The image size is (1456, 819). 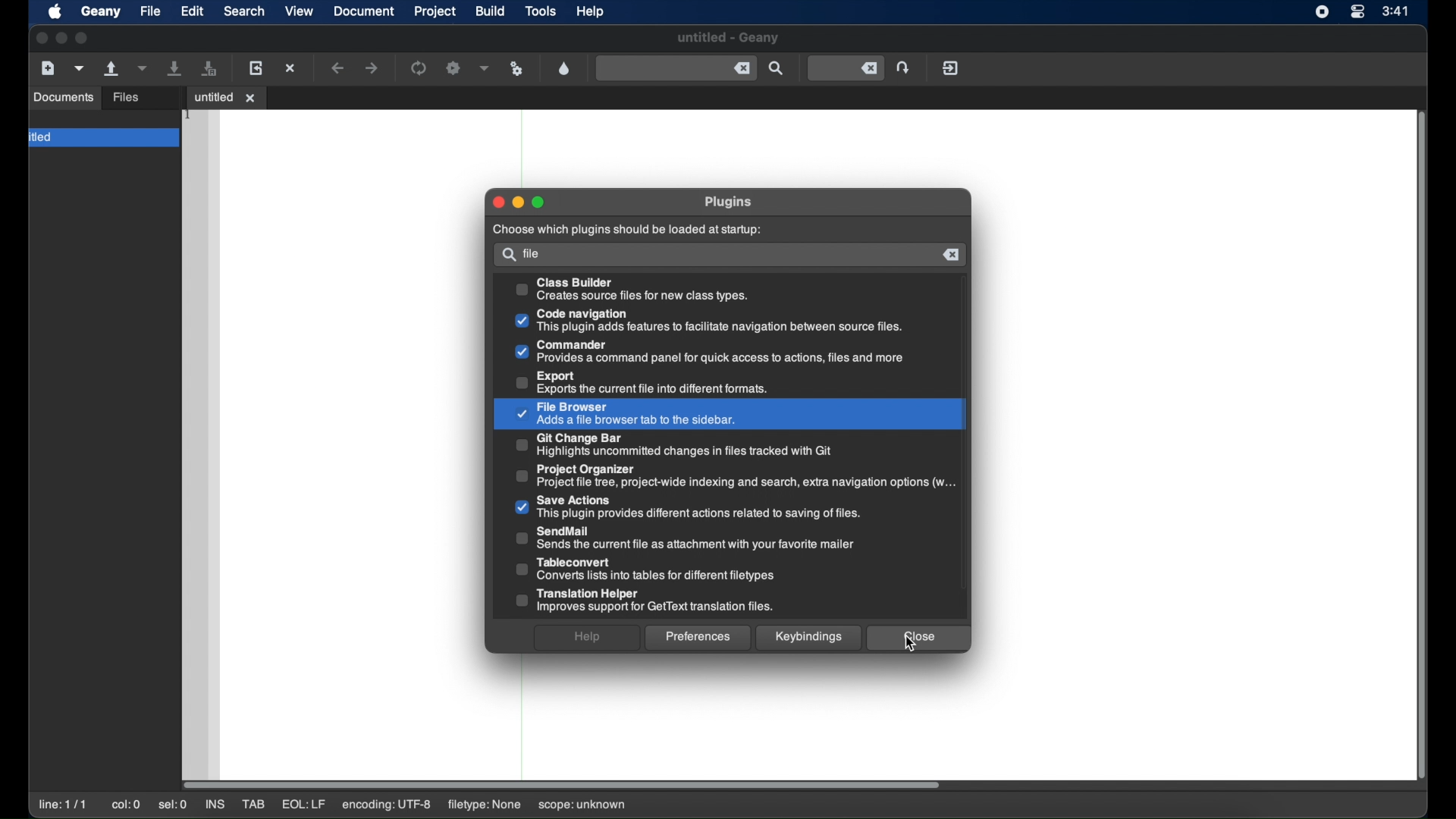 I want to click on open a recent file, so click(x=144, y=69).